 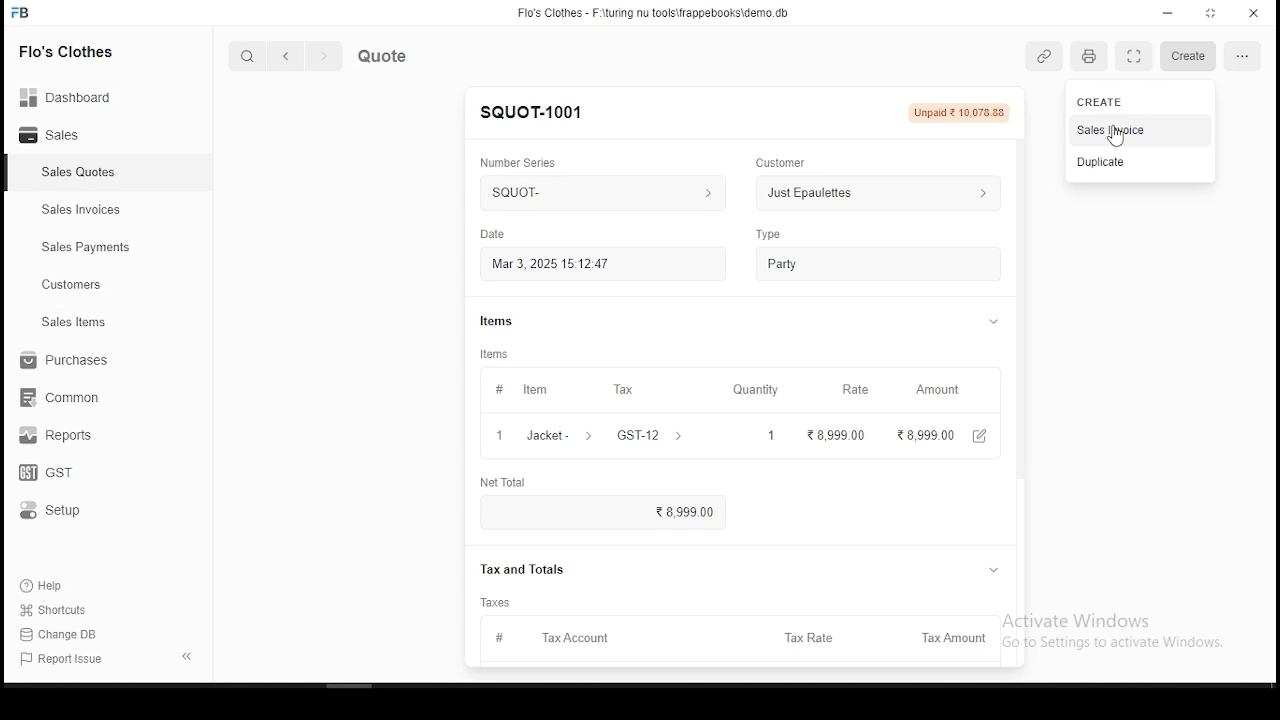 I want to click on type, so click(x=769, y=231).